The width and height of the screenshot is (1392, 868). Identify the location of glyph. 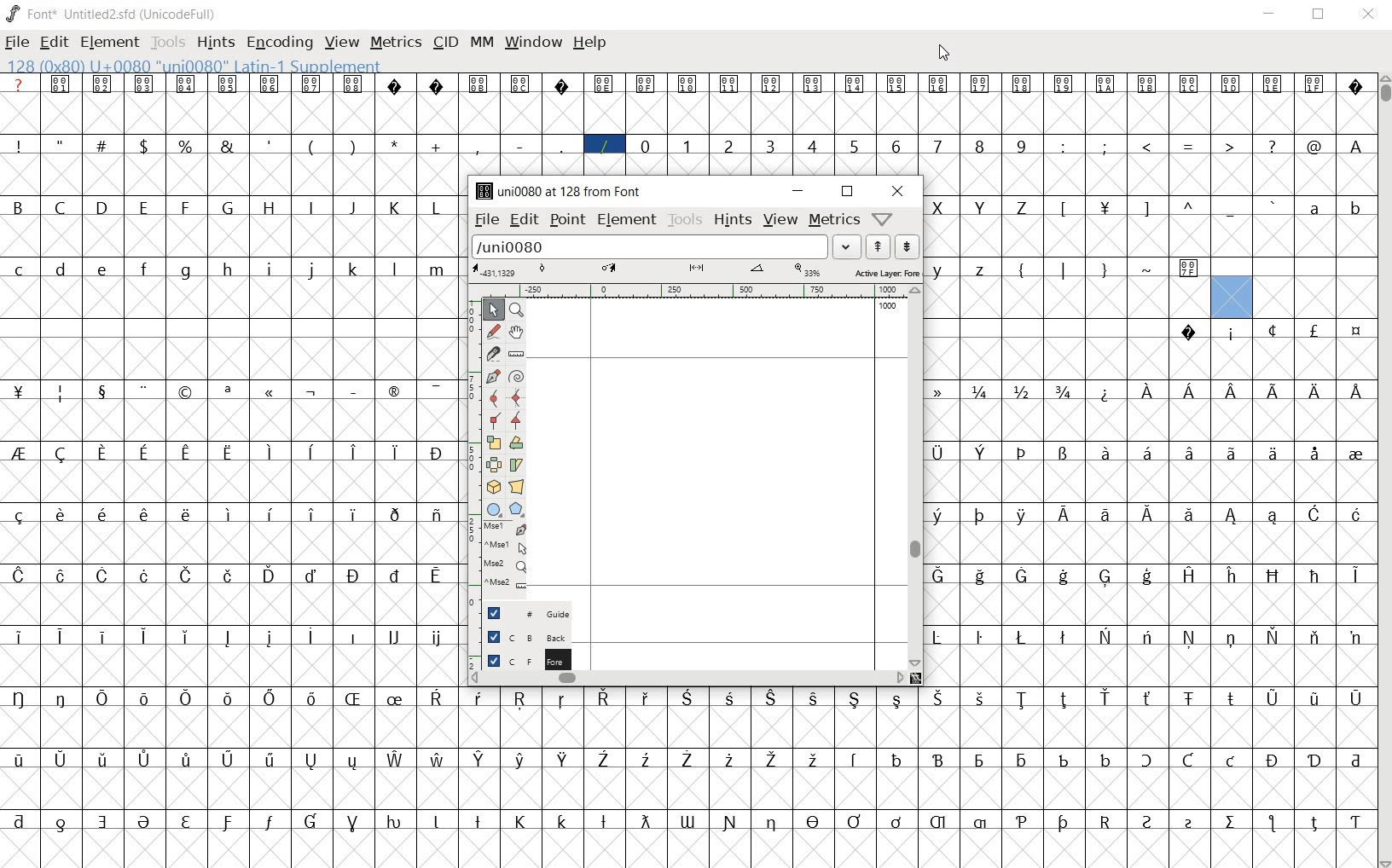
(647, 761).